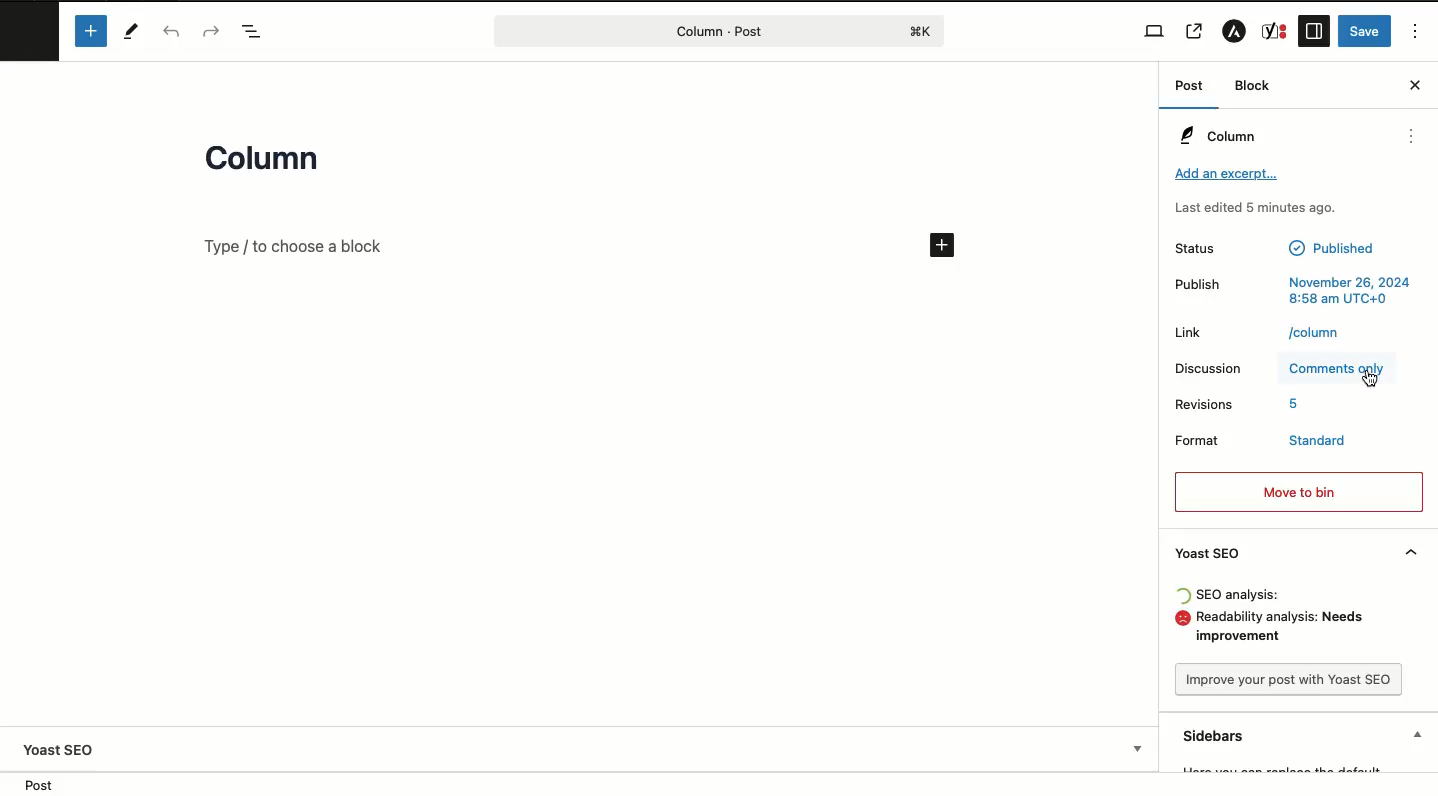 This screenshot has width=1438, height=796. Describe the element at coordinates (1292, 552) in the screenshot. I see `Yoast SEO` at that location.